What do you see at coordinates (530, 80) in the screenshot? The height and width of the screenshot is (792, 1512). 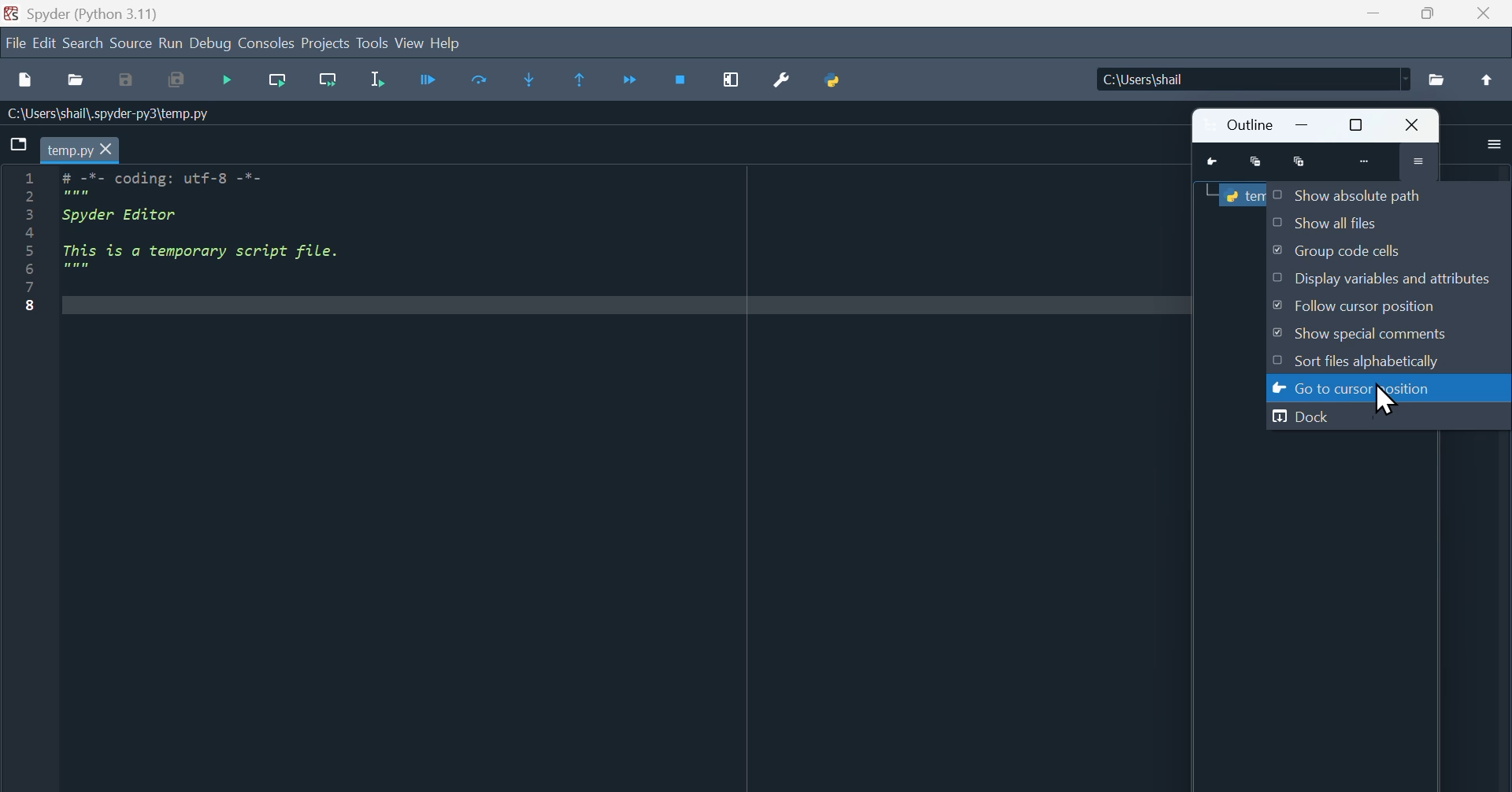 I see `Step in to function` at bounding box center [530, 80].